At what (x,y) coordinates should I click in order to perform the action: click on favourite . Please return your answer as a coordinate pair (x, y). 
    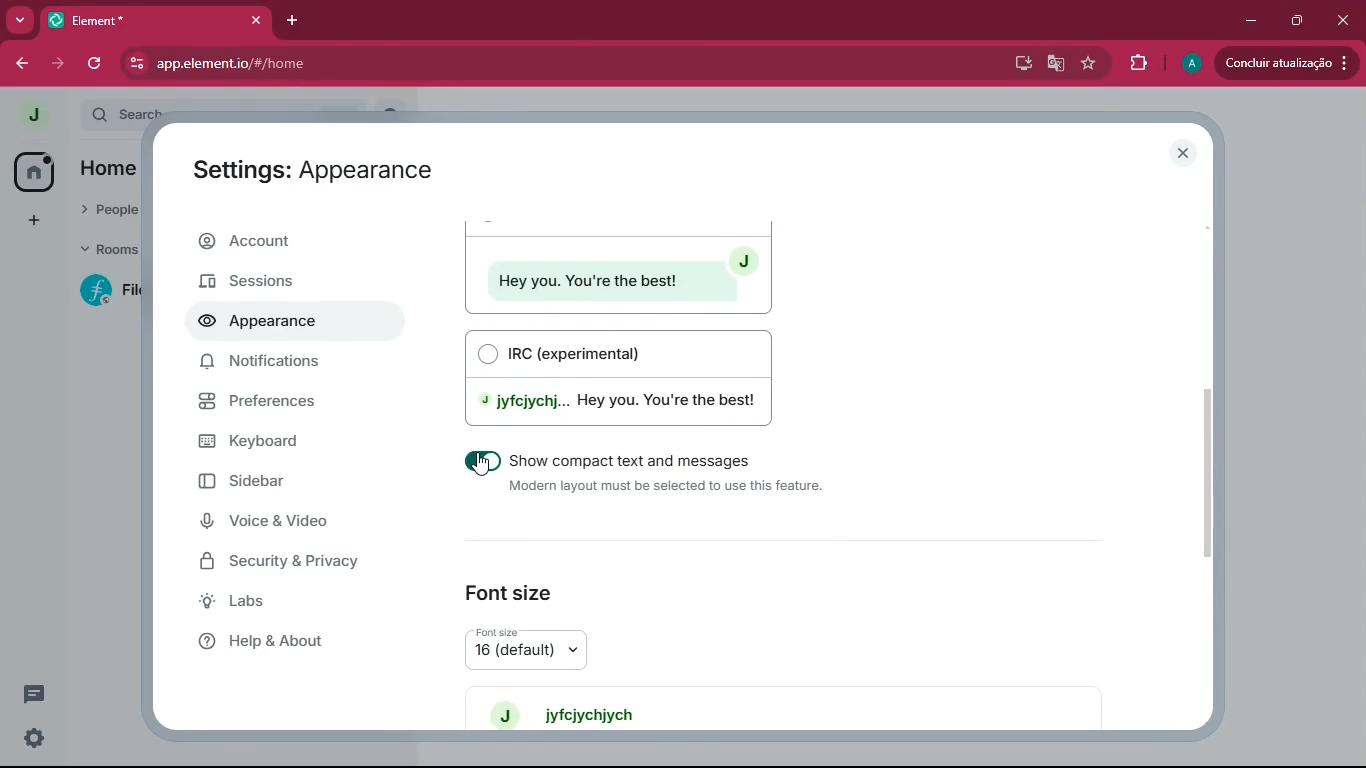
    Looking at the image, I should click on (1088, 64).